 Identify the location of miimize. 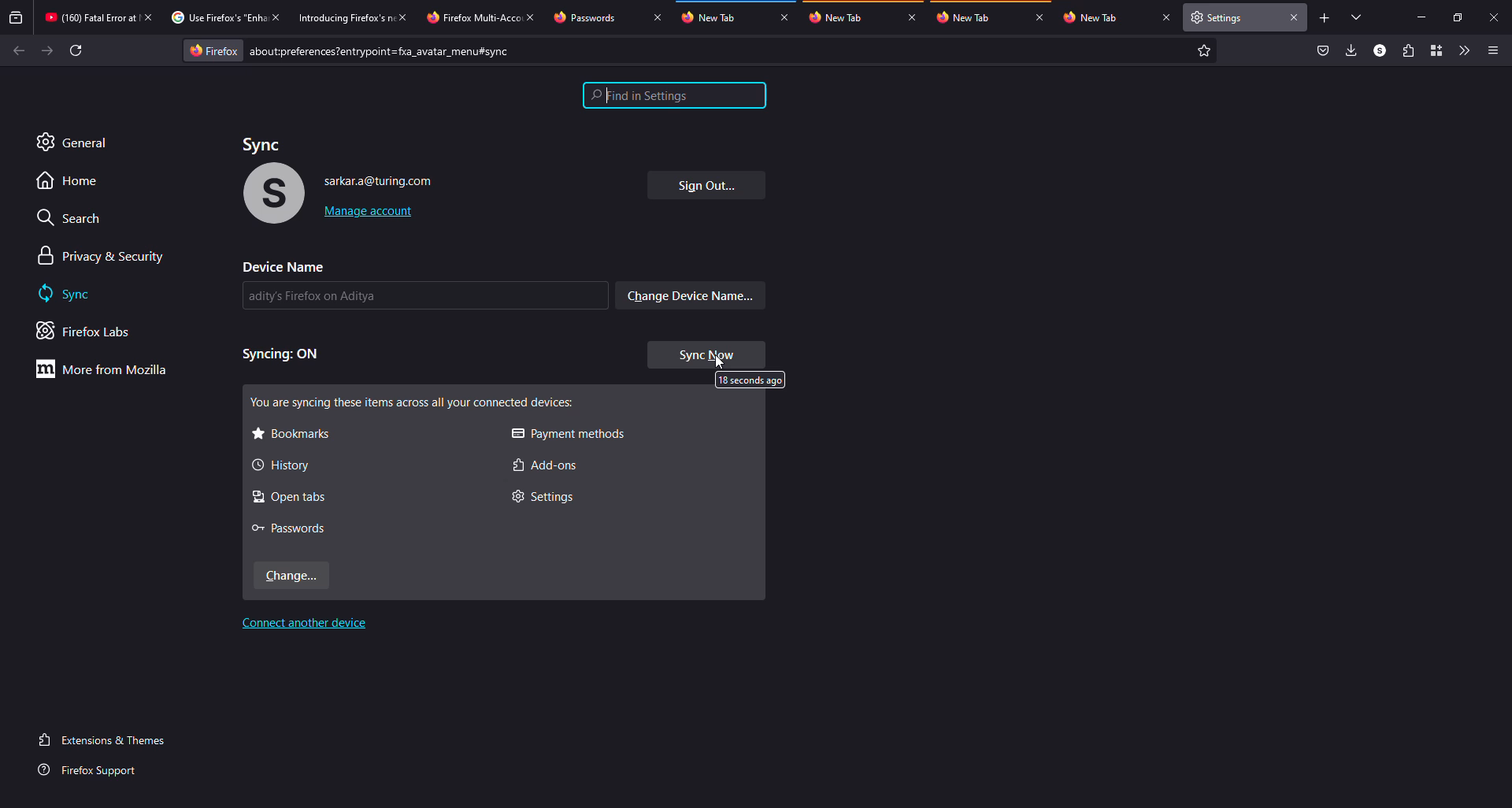
(1422, 17).